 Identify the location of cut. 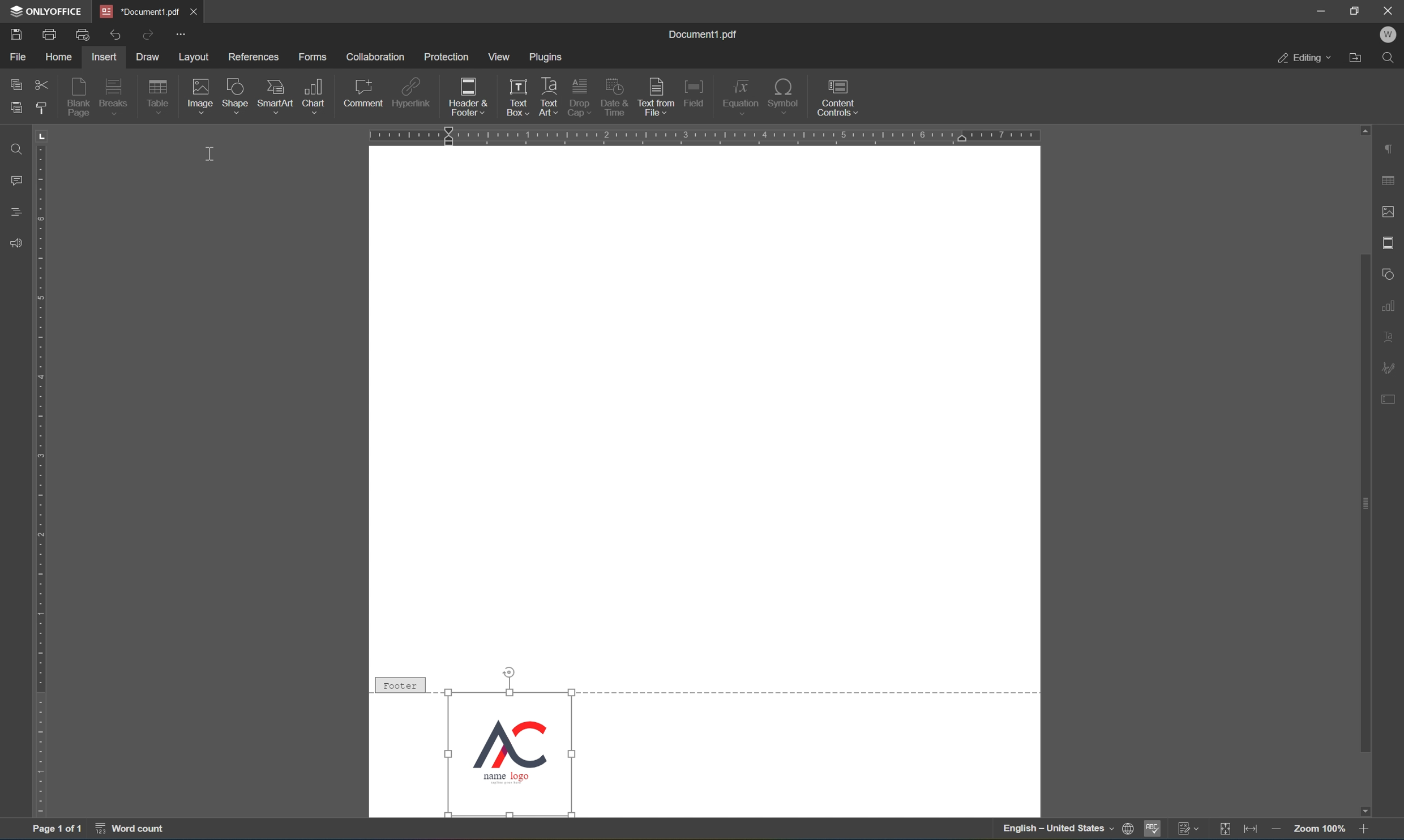
(40, 83).